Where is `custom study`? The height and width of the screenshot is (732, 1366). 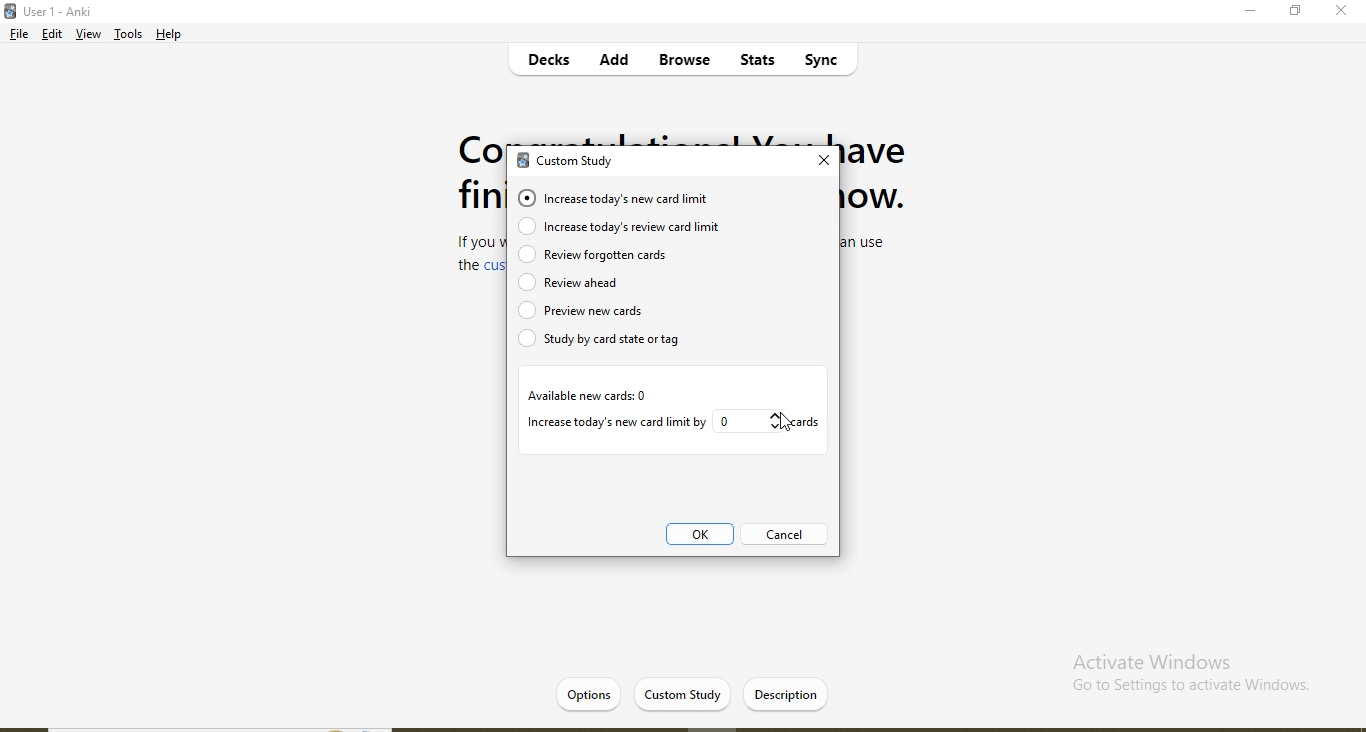
custom study is located at coordinates (574, 163).